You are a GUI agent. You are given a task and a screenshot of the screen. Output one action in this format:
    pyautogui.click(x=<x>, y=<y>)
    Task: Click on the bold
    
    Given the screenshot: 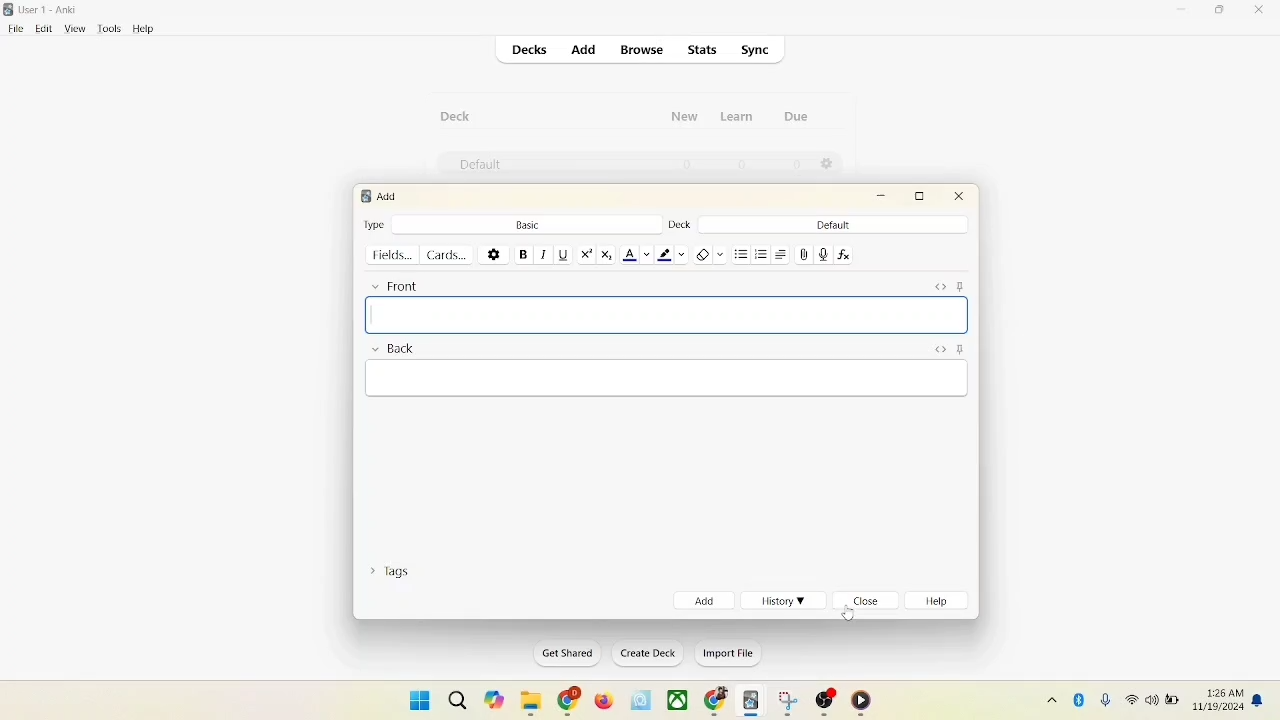 What is the action you would take?
    pyautogui.click(x=522, y=253)
    